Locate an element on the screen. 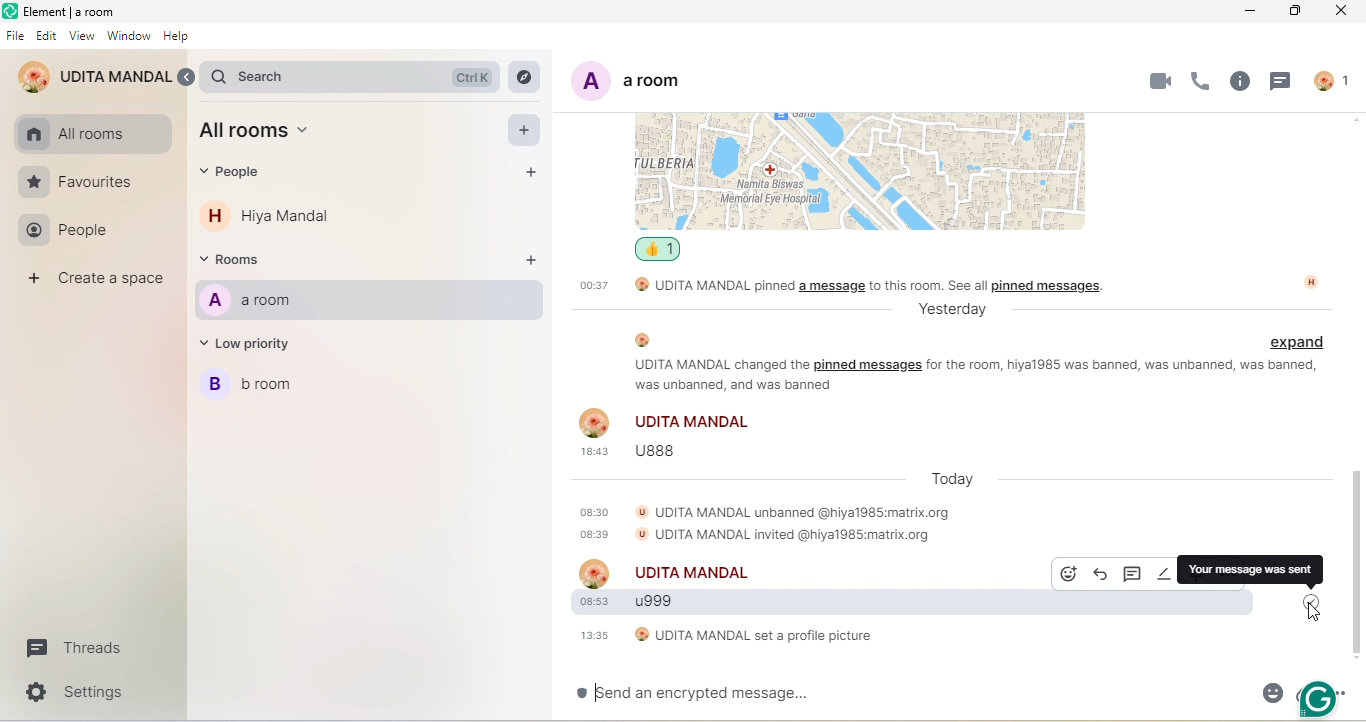 Image resolution: width=1366 pixels, height=722 pixels. H Hiya Mandal is located at coordinates (272, 219).